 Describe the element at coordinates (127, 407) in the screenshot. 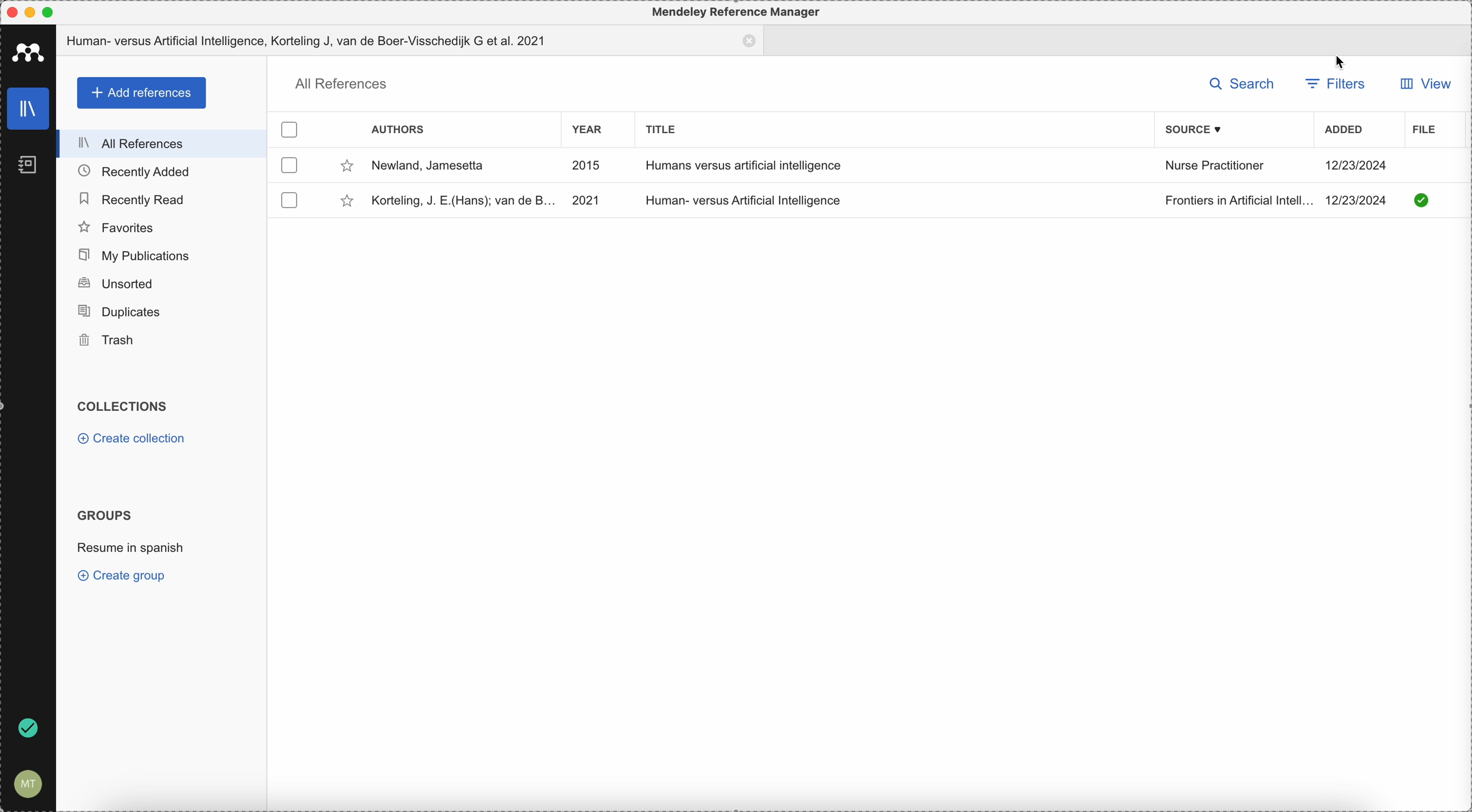

I see `collections` at that location.